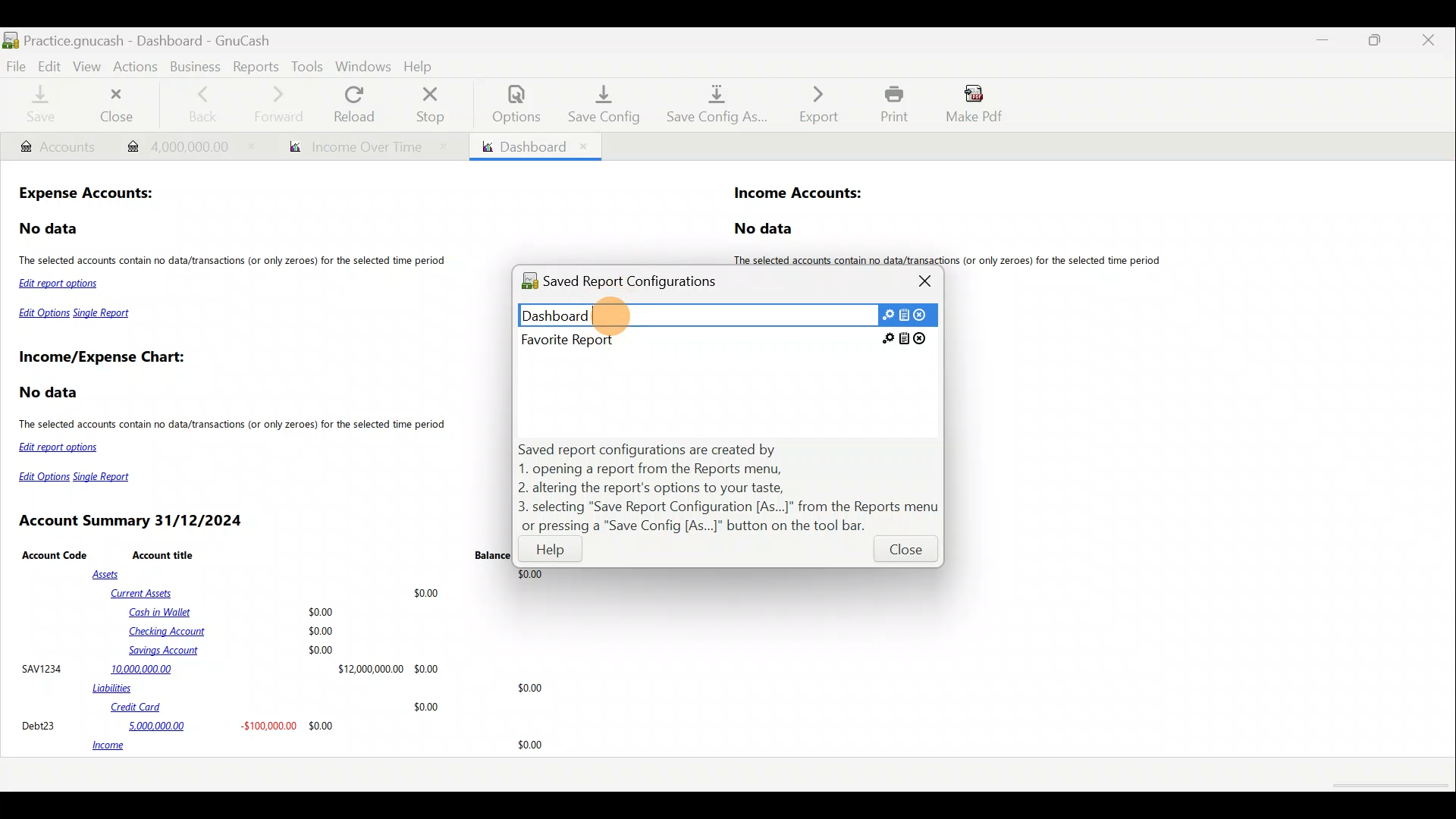 This screenshot has width=1456, height=819. I want to click on Account Code Account title Balance, so click(266, 554).